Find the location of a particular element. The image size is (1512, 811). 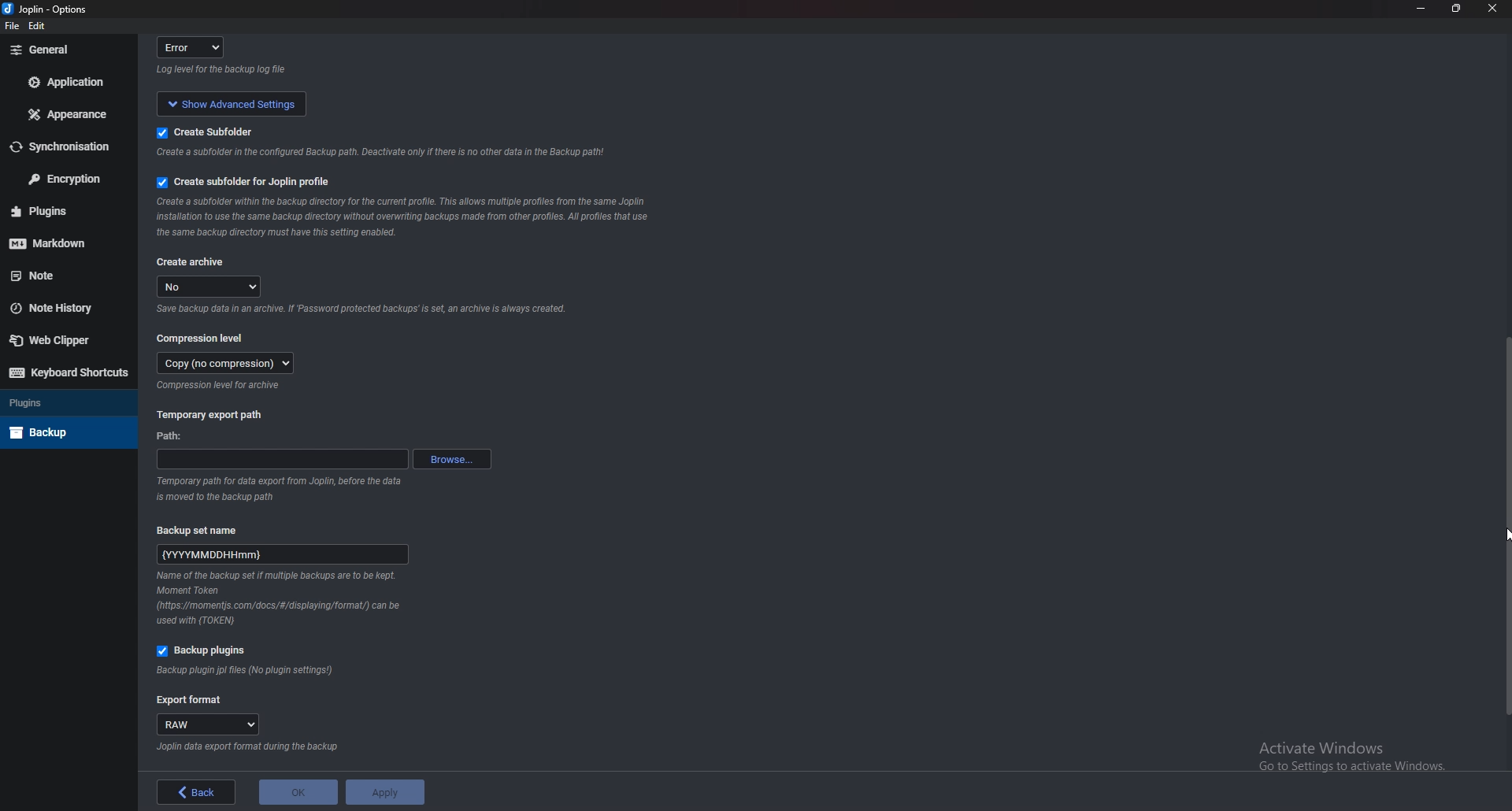

Web Clipper is located at coordinates (61, 339).